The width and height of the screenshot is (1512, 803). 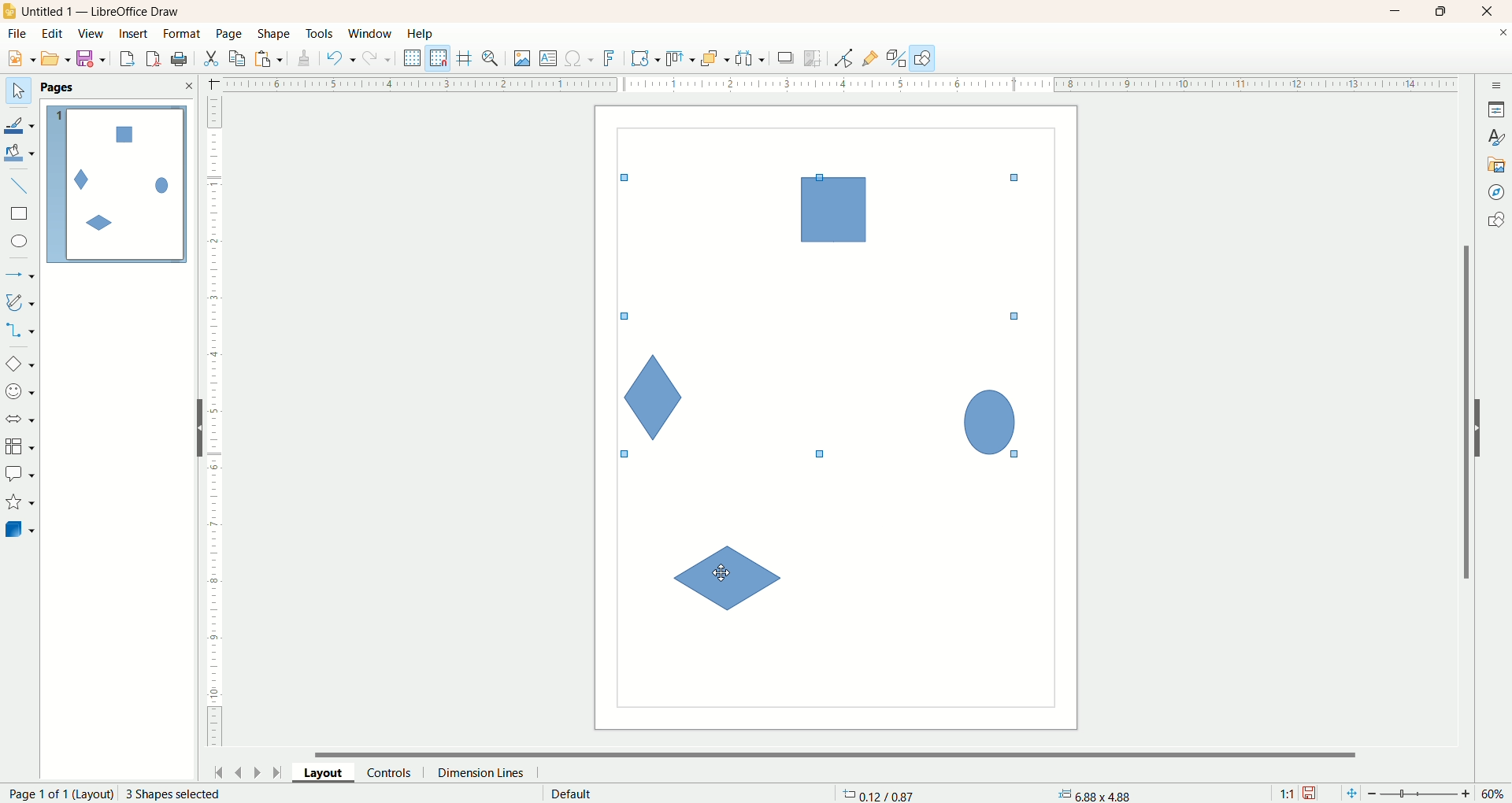 I want to click on dimension lines, so click(x=485, y=772).